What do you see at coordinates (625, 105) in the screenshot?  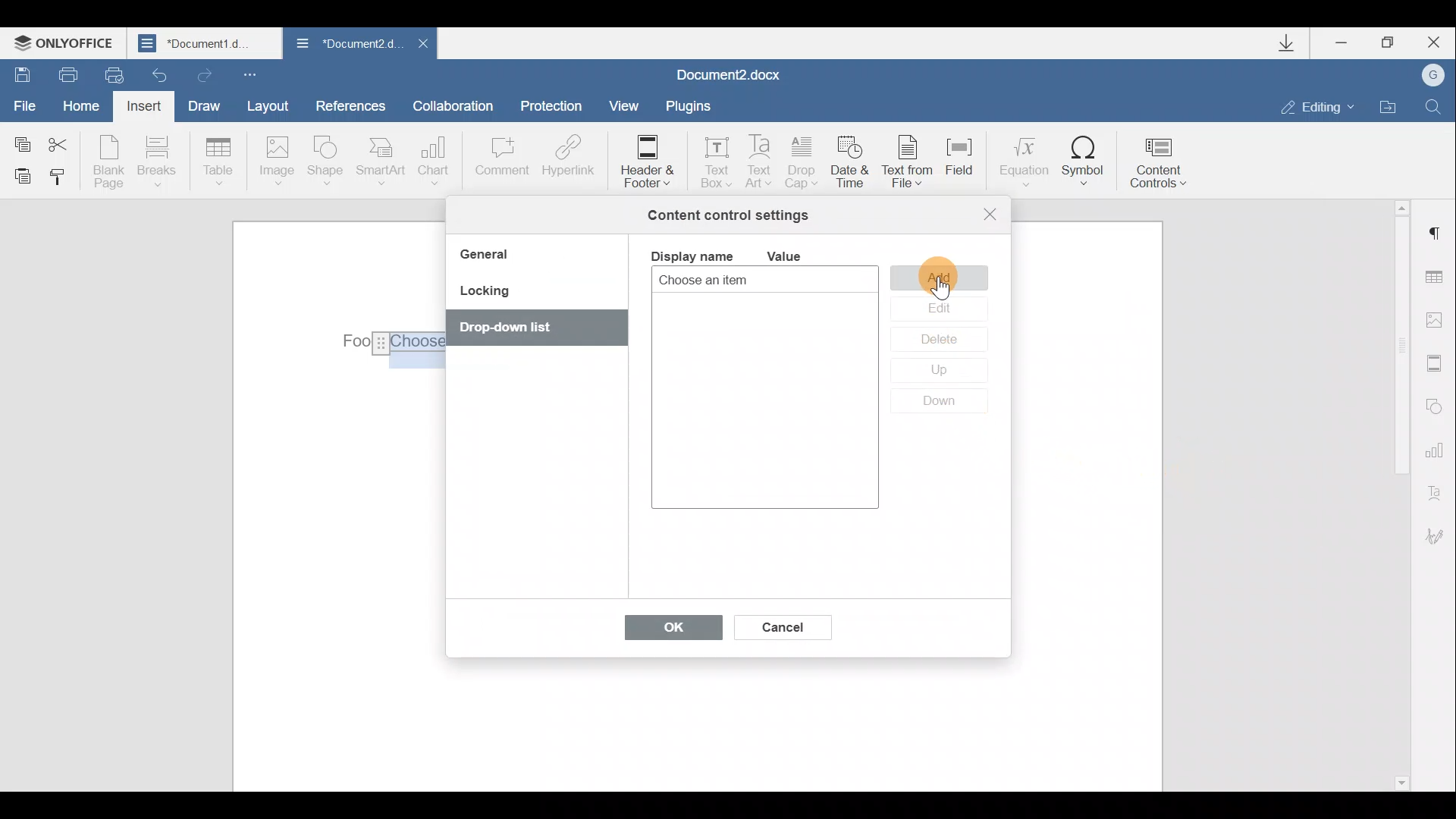 I see `View` at bounding box center [625, 105].